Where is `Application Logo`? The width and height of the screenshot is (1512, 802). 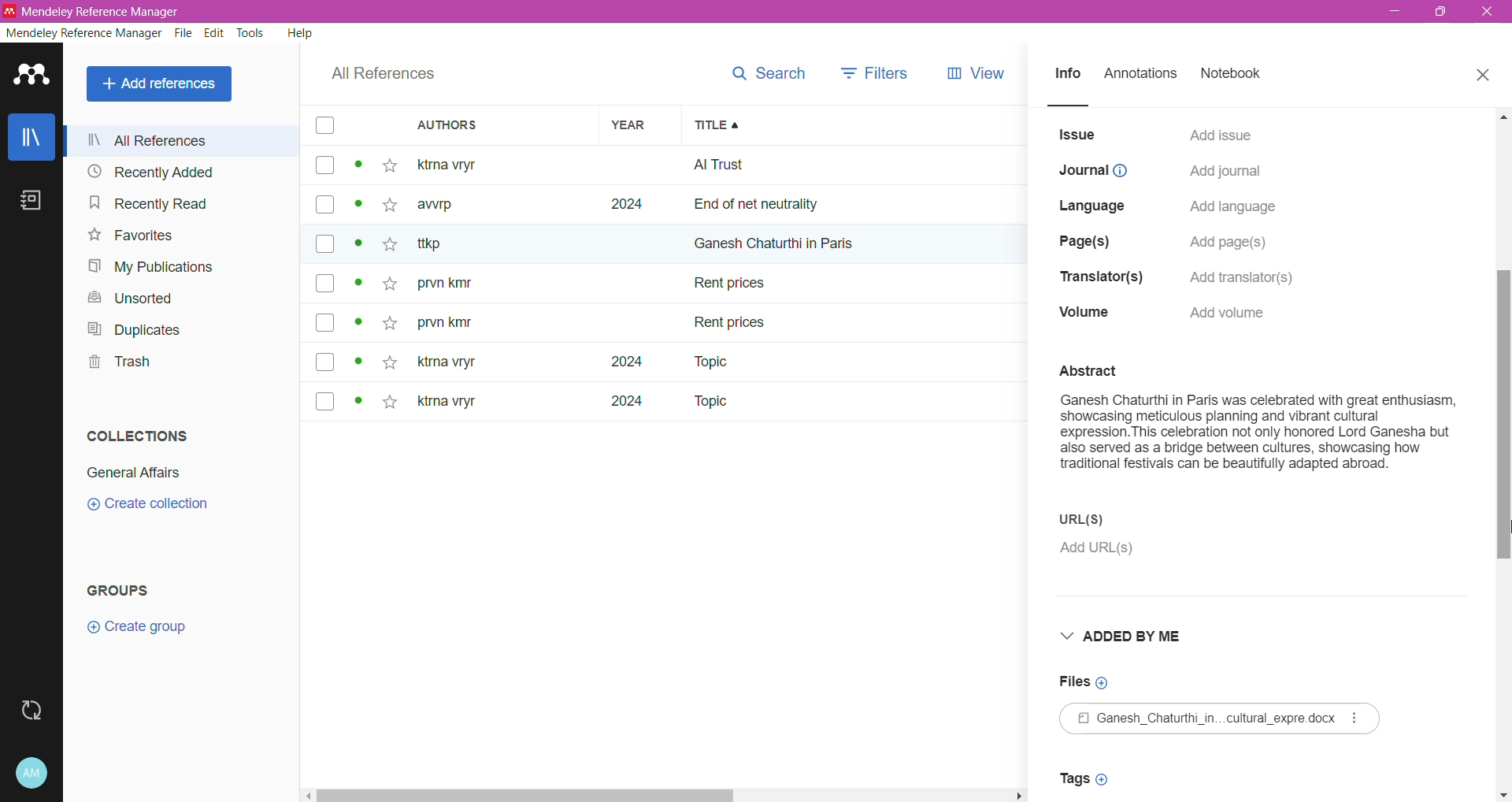
Application Logo is located at coordinates (31, 76).